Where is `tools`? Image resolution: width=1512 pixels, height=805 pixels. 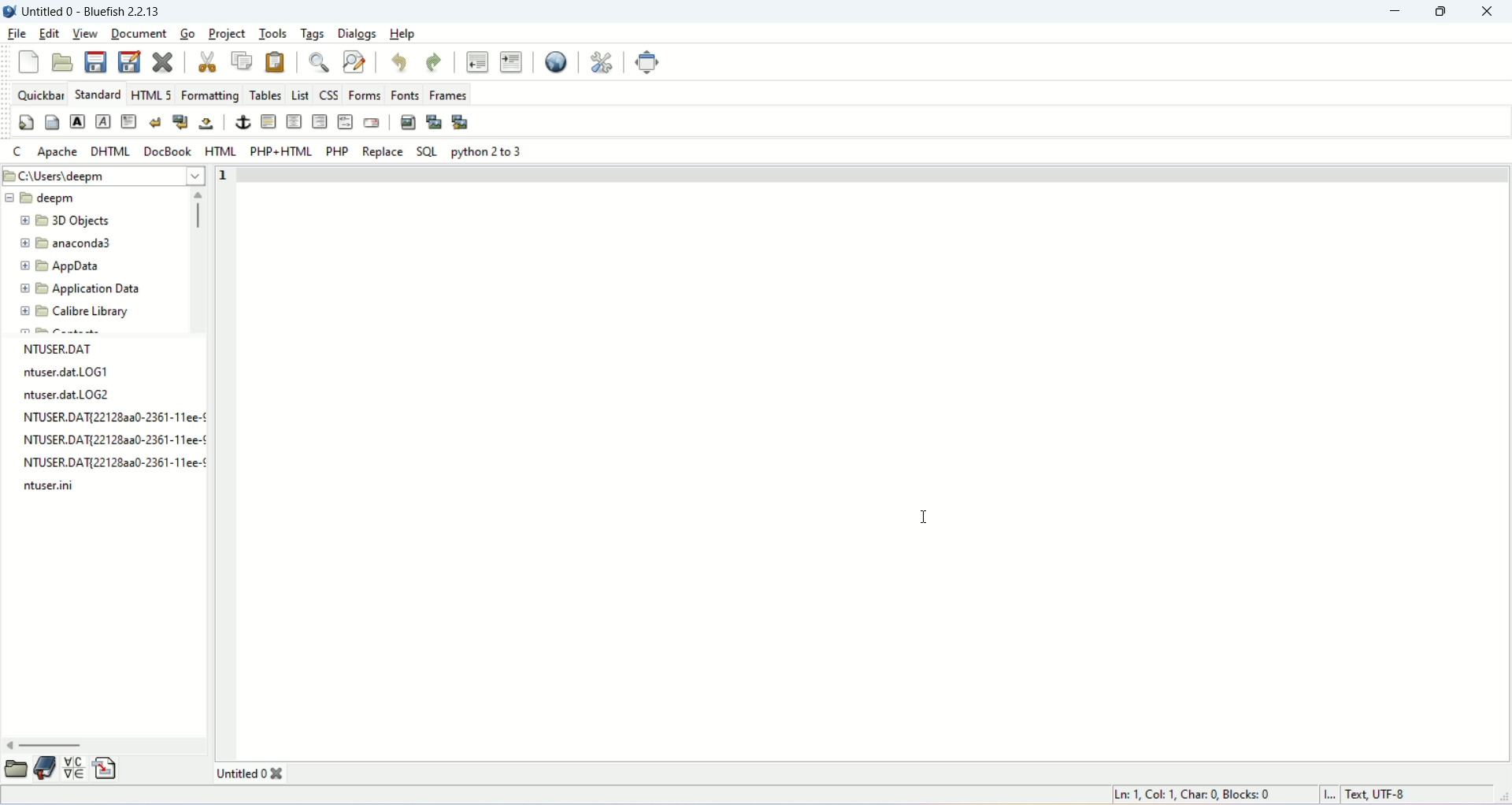 tools is located at coordinates (273, 33).